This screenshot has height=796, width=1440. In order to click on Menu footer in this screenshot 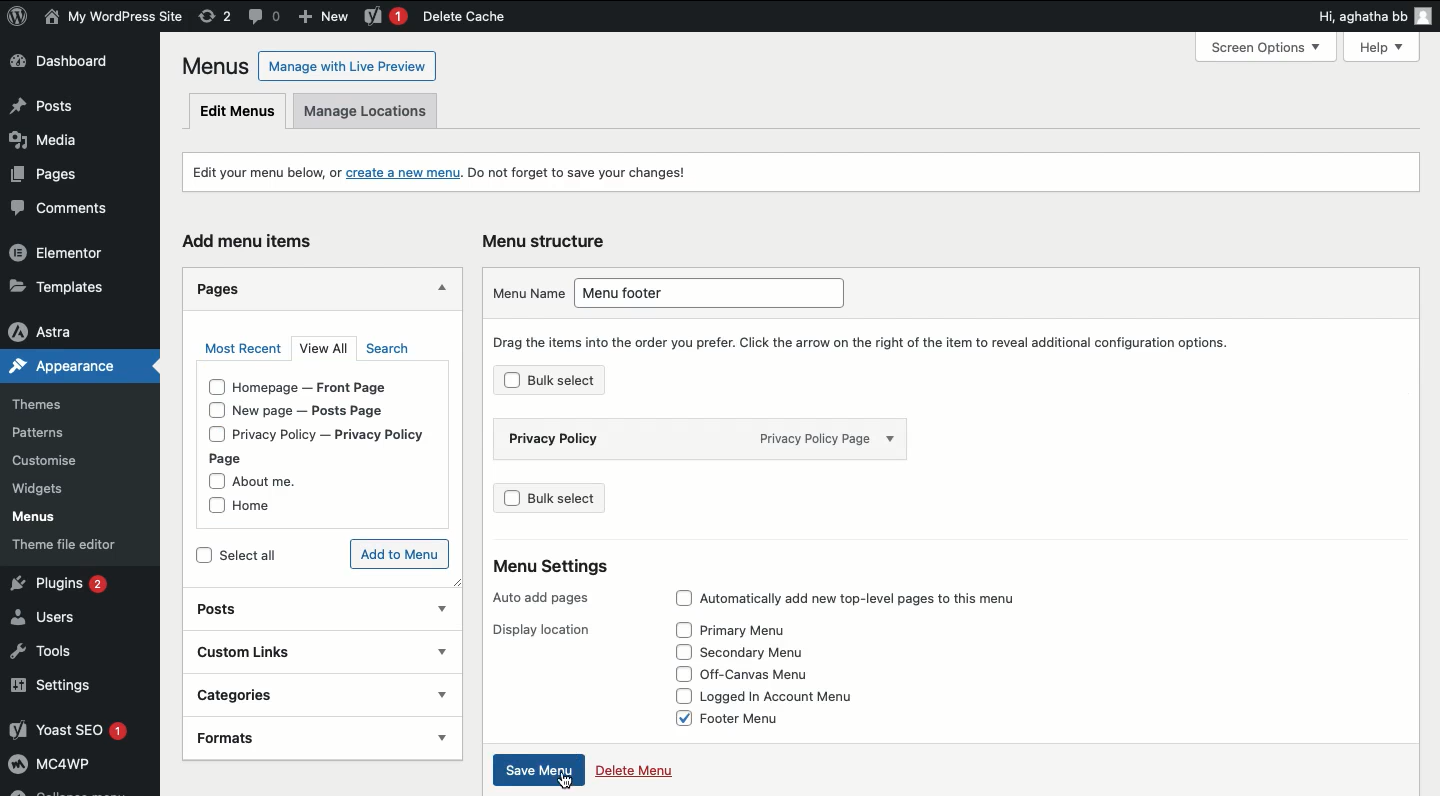, I will do `click(717, 293)`.